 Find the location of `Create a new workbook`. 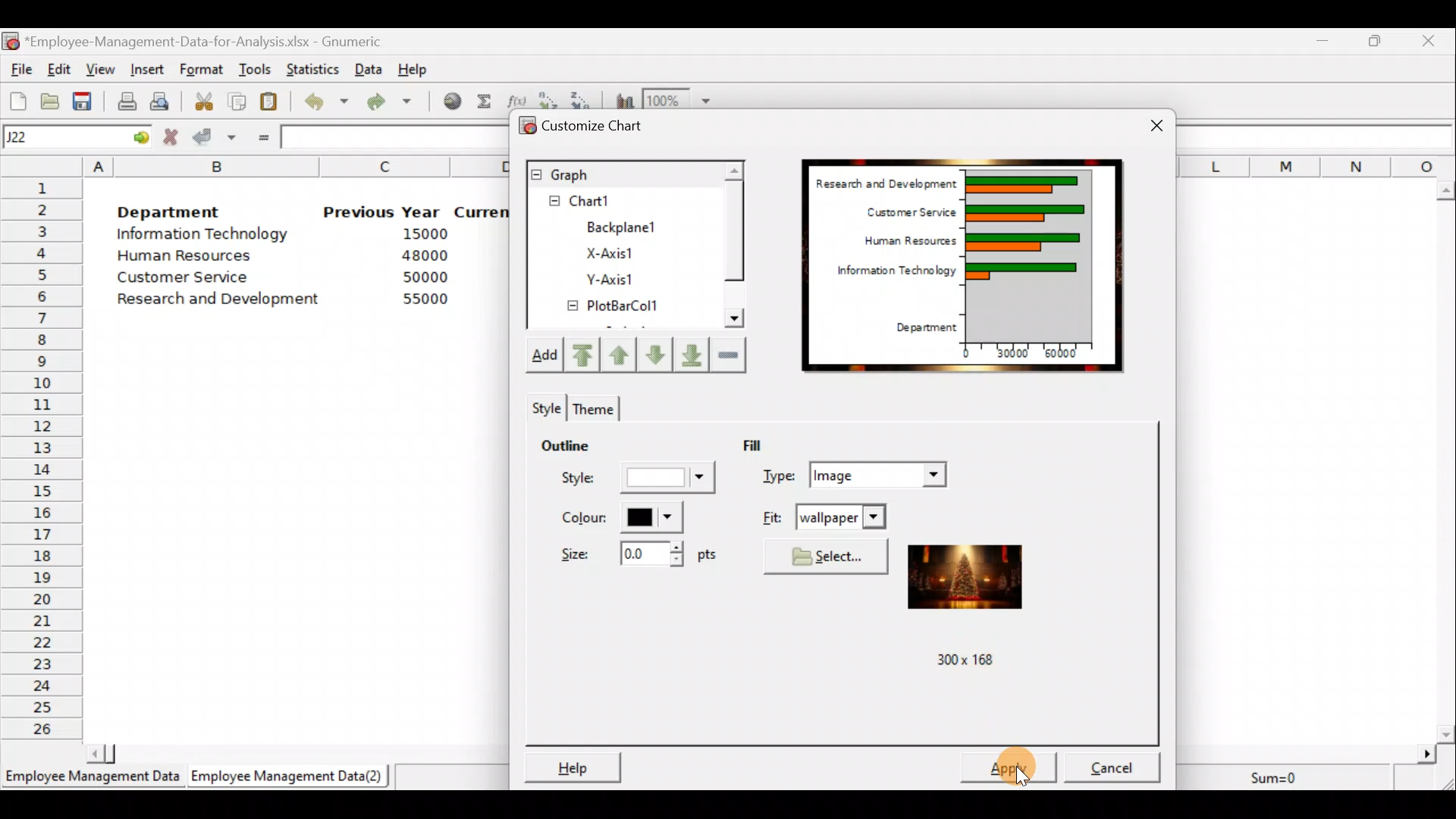

Create a new workbook is located at coordinates (17, 99).